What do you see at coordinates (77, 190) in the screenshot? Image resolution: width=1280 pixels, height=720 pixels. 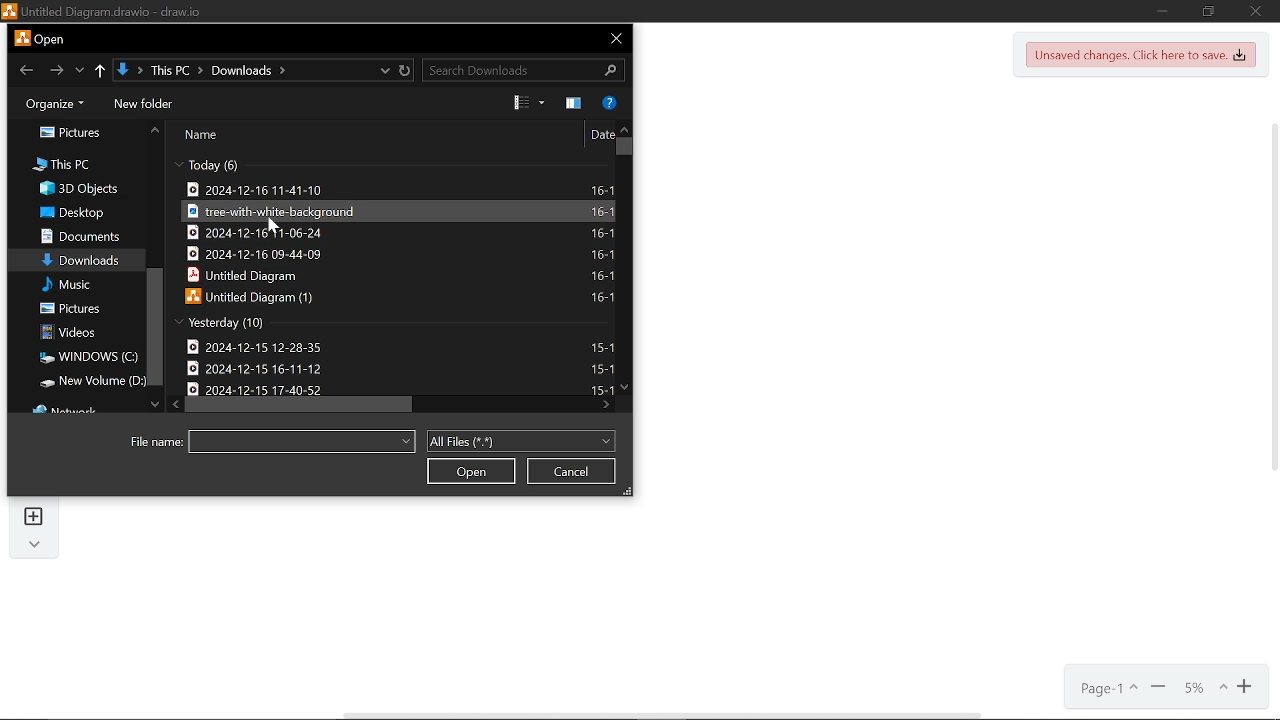 I see `3d objects` at bounding box center [77, 190].